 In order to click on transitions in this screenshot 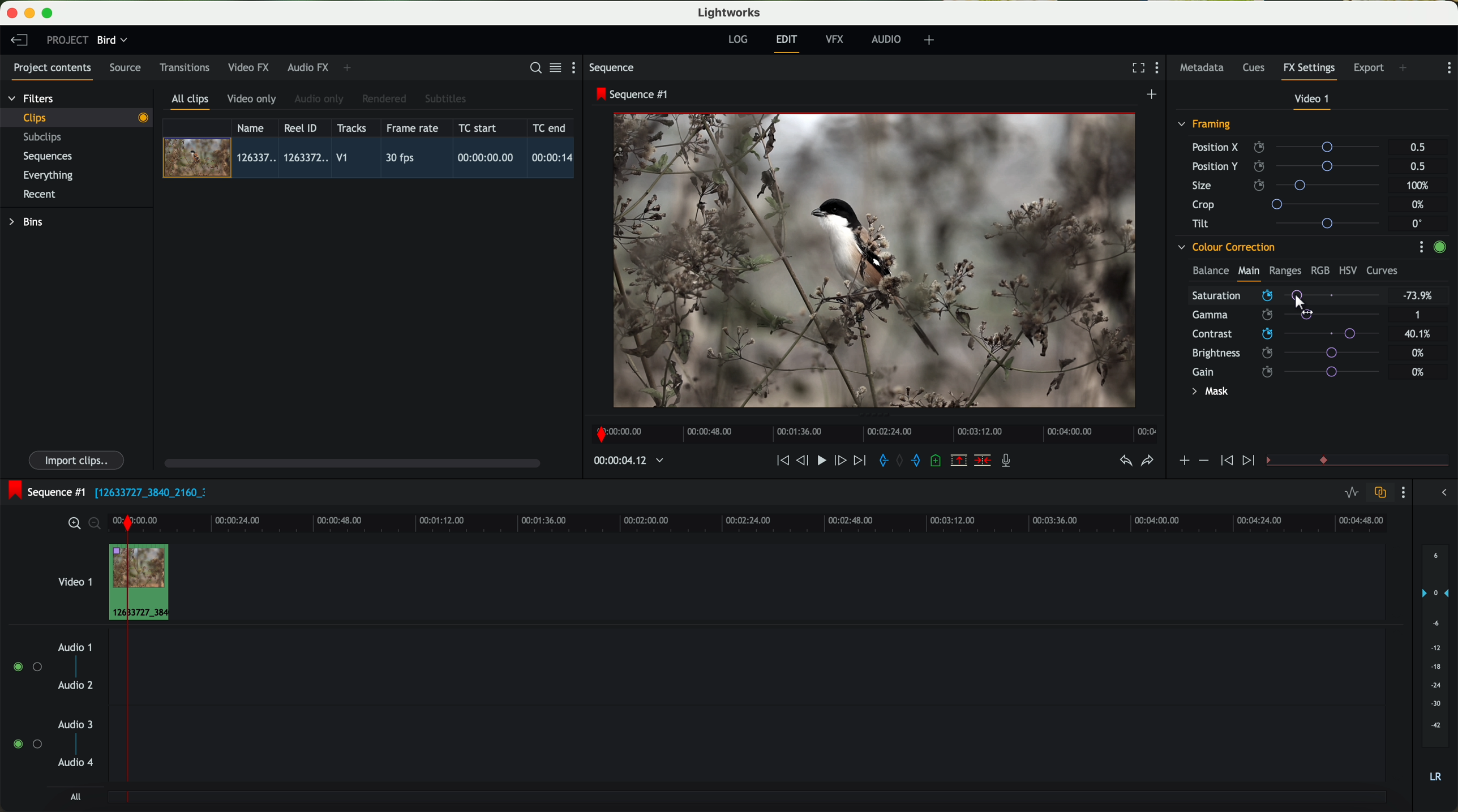, I will do `click(184, 67)`.